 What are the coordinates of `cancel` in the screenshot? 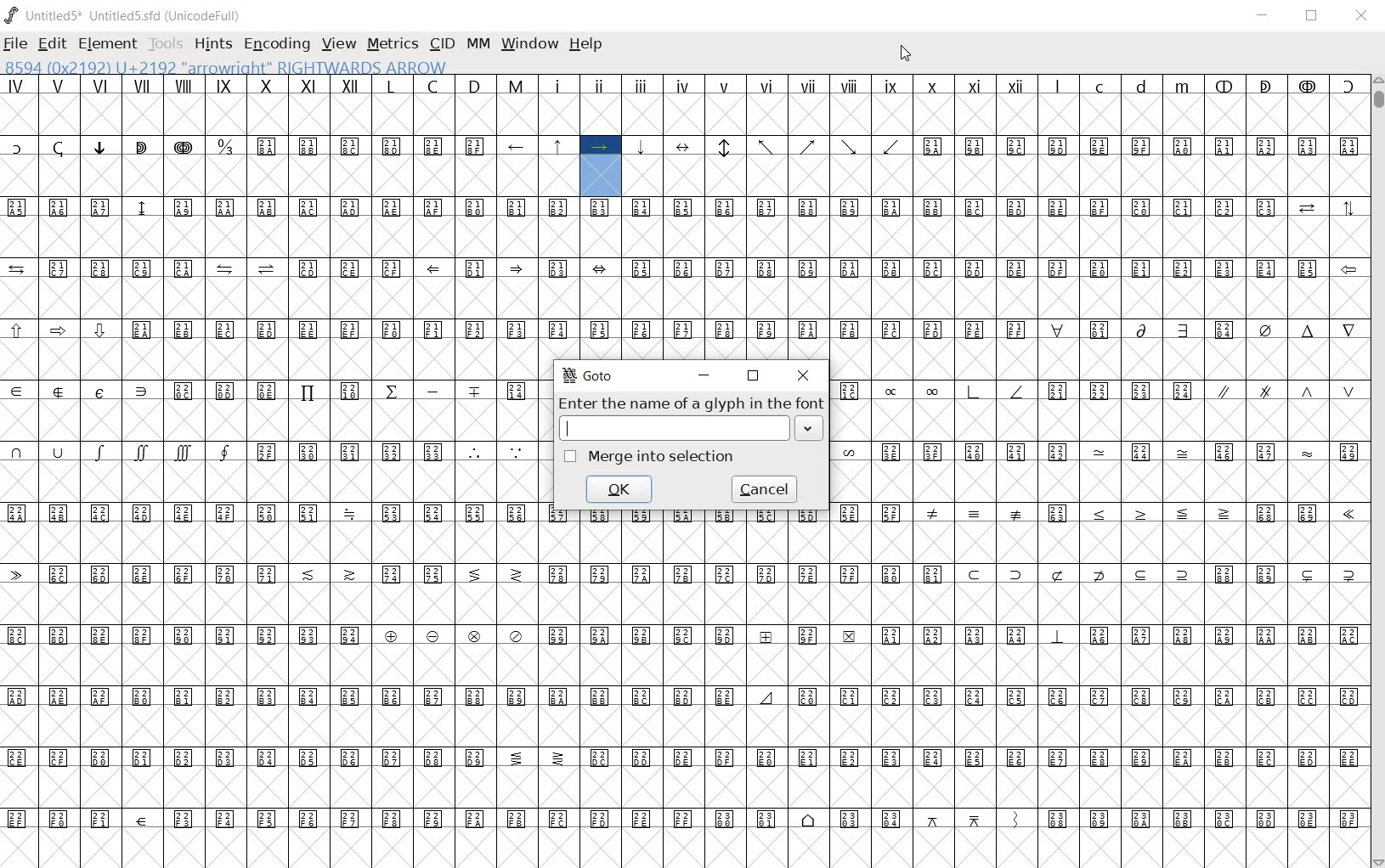 It's located at (766, 490).